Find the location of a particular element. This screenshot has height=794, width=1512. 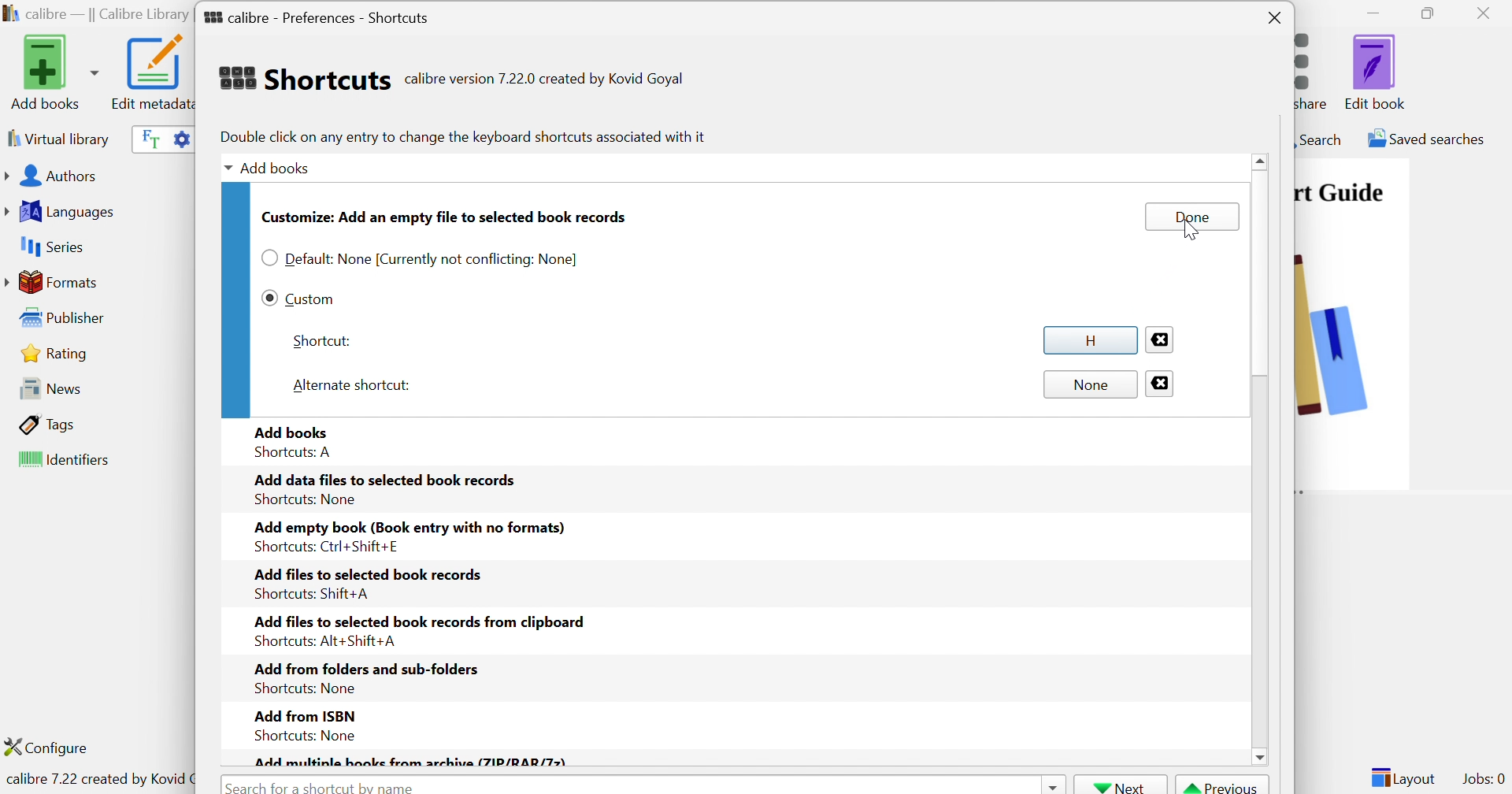

Close is located at coordinates (1275, 19).